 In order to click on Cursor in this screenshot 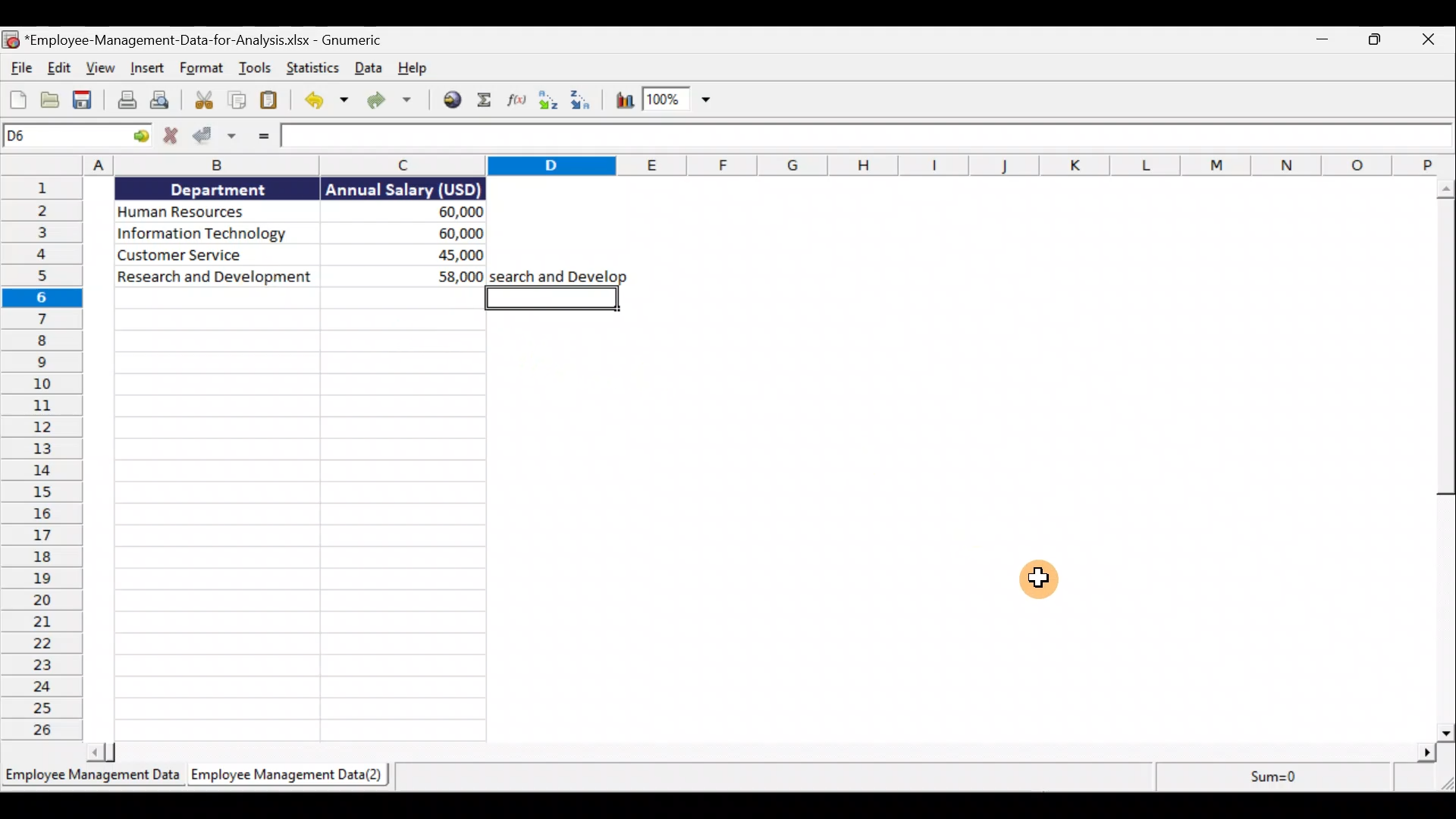, I will do `click(1038, 576)`.